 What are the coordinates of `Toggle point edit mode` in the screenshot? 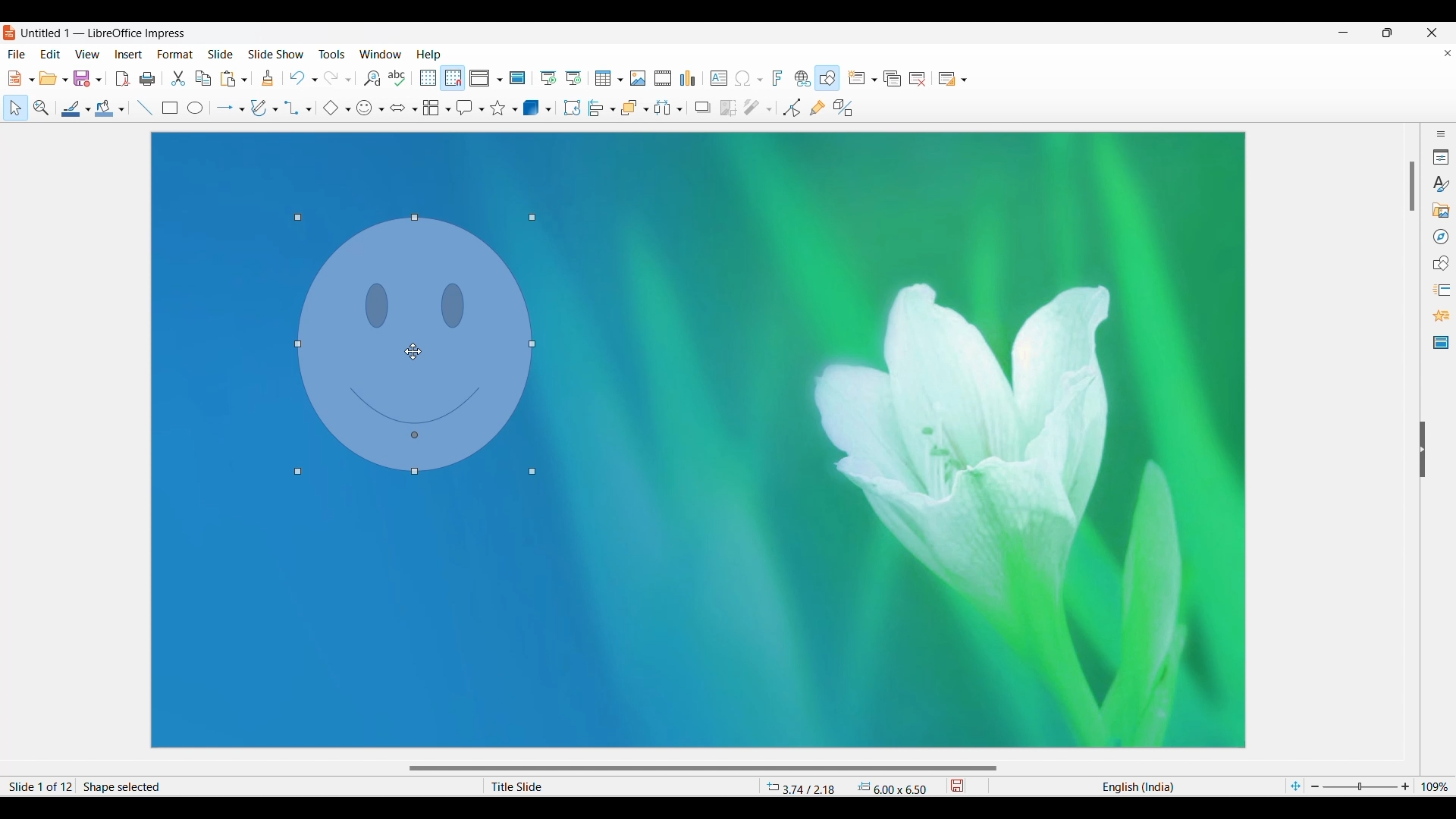 It's located at (792, 108).